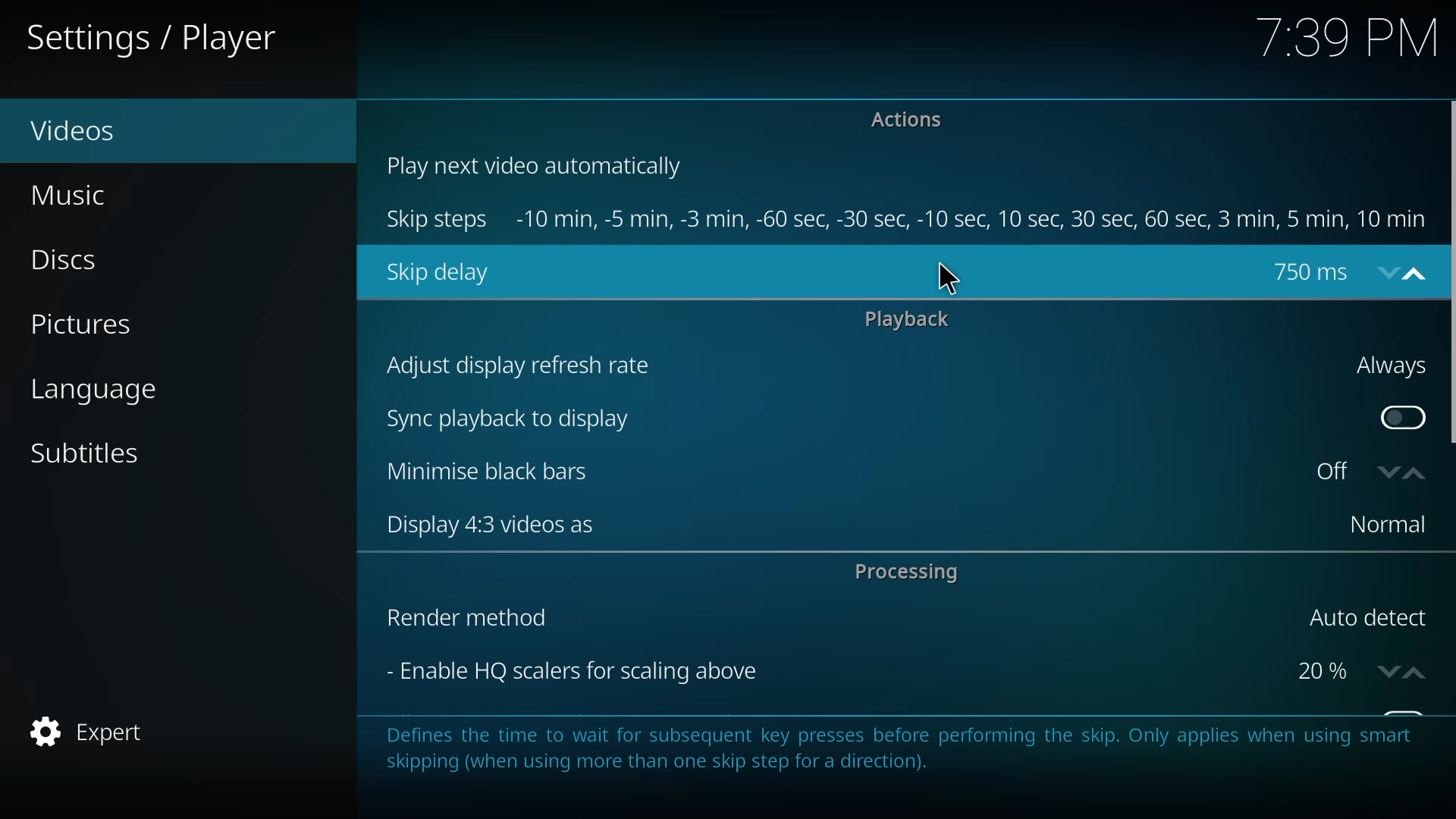 The width and height of the screenshot is (1456, 819). What do you see at coordinates (510, 416) in the screenshot?
I see `sync` at bounding box center [510, 416].